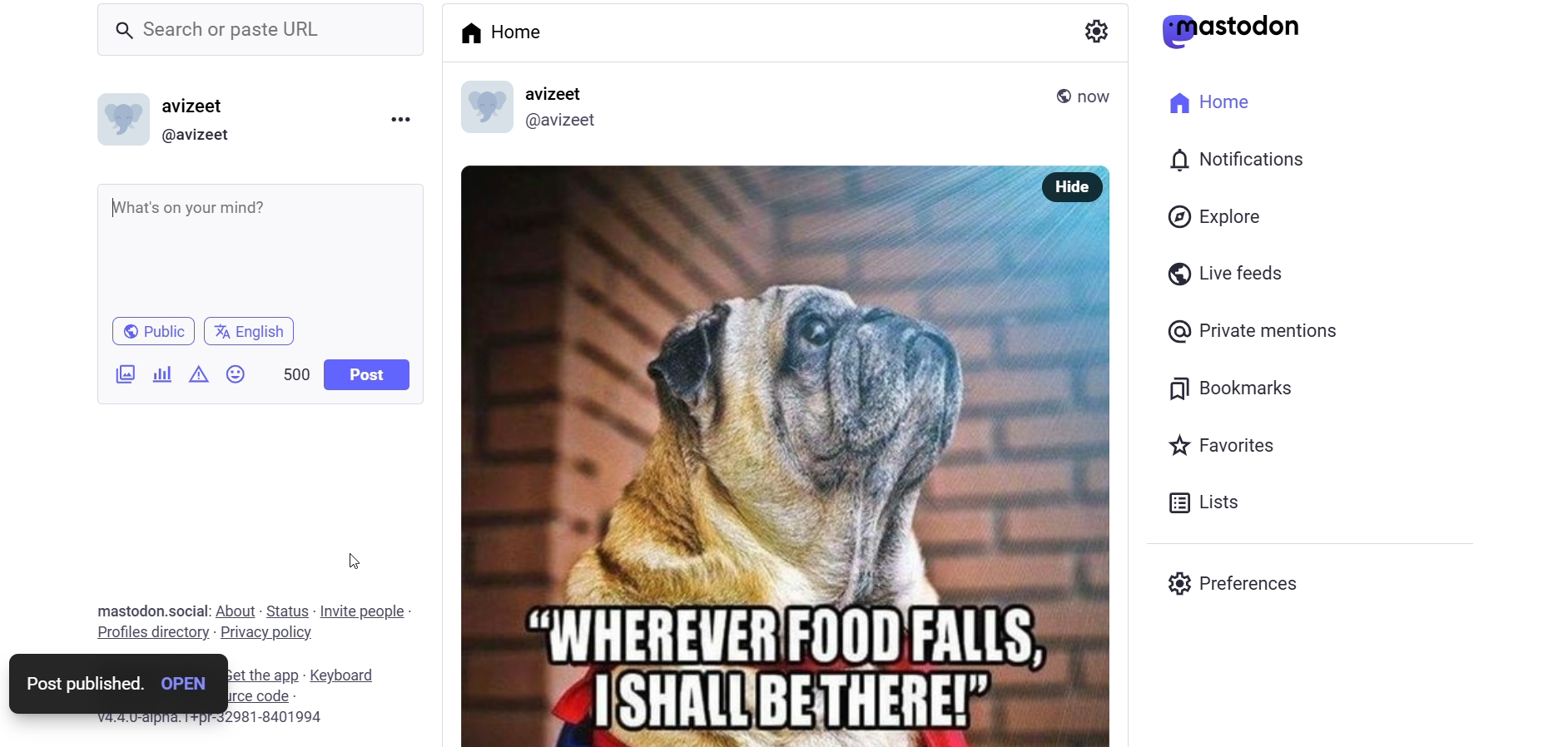  I want to click on post ublished, so click(82, 684).